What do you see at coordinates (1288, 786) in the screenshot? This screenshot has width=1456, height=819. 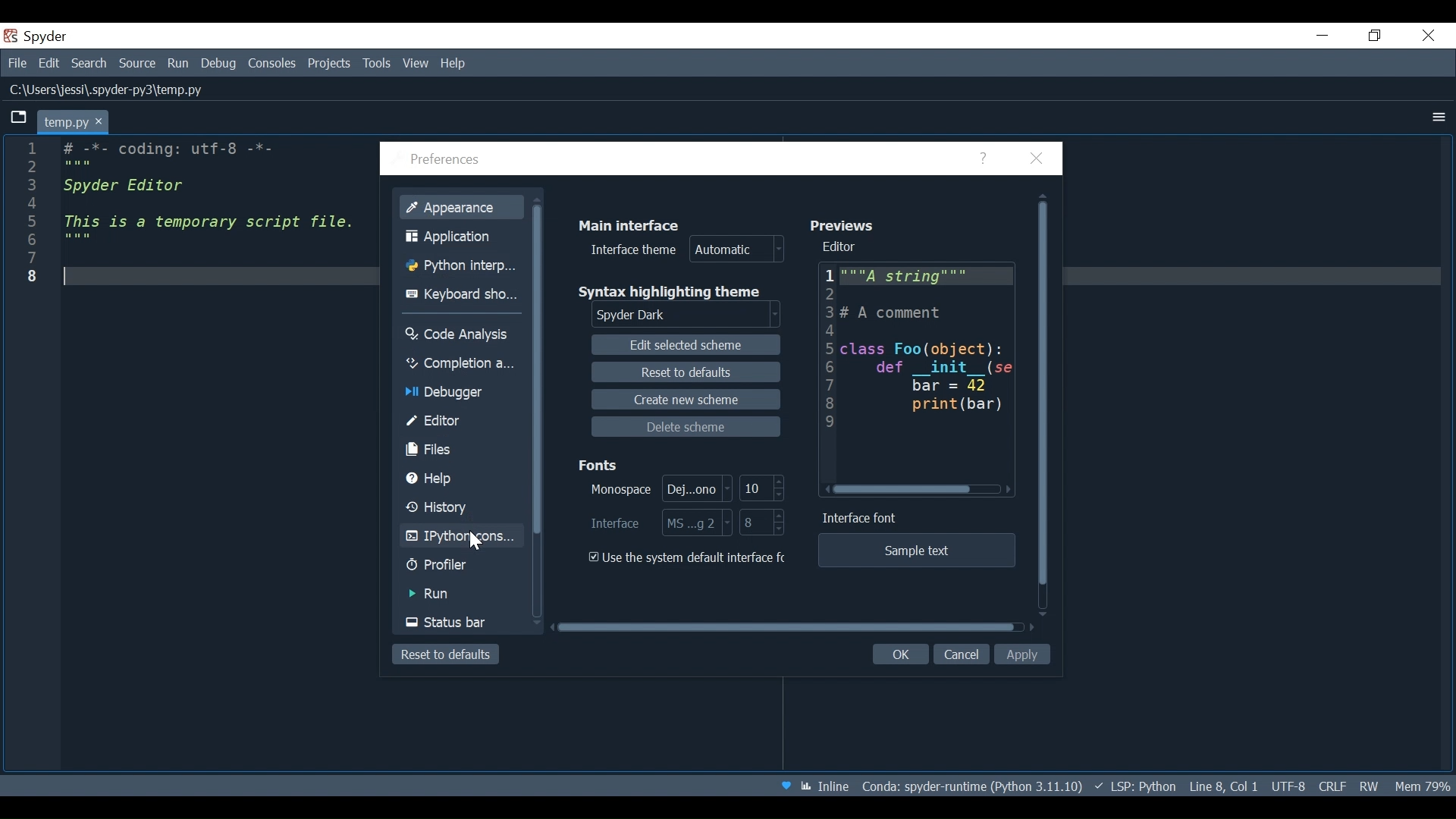 I see `File Encoding` at bounding box center [1288, 786].